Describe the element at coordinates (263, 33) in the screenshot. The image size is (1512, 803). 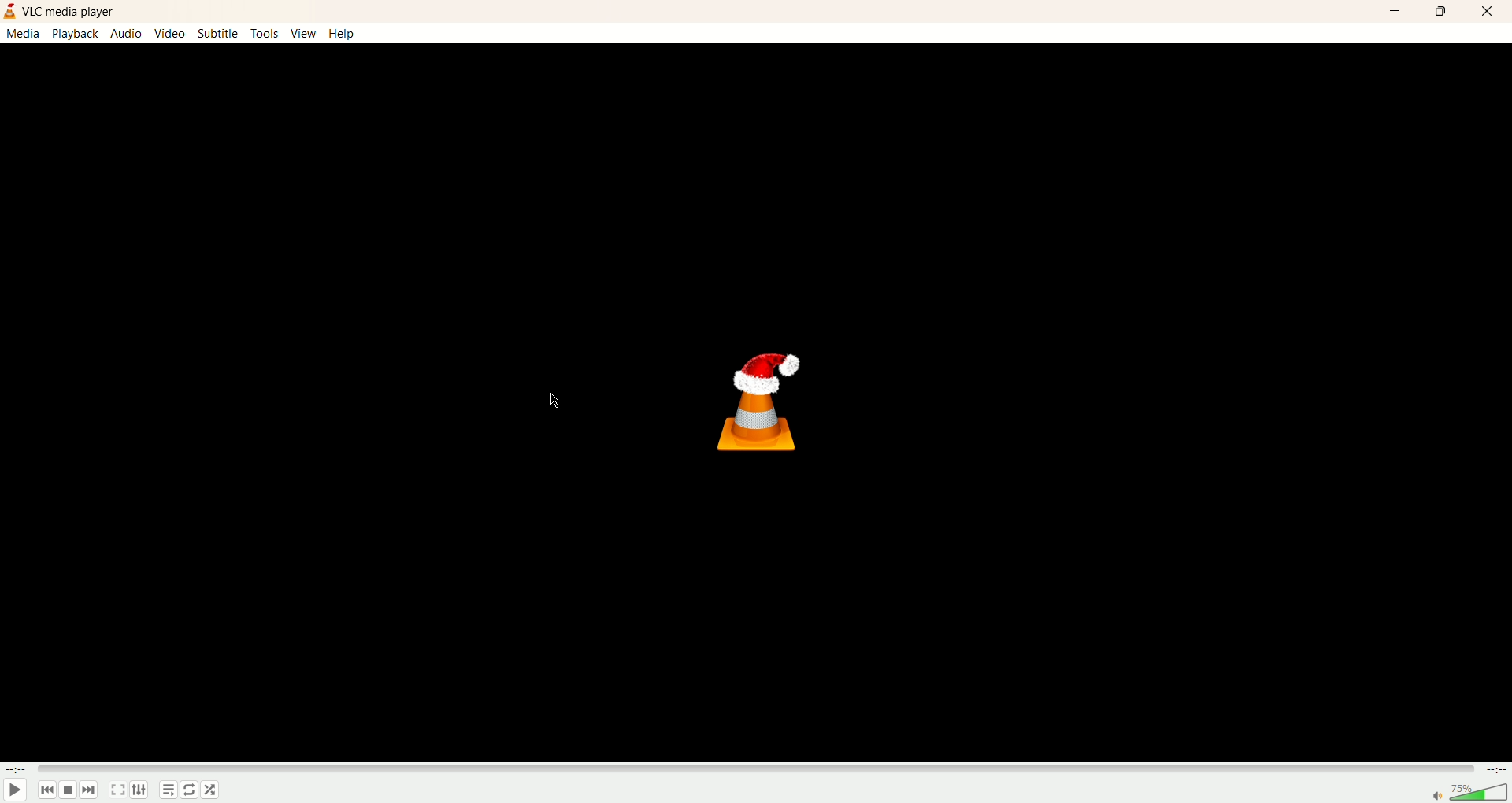
I see `tools` at that location.